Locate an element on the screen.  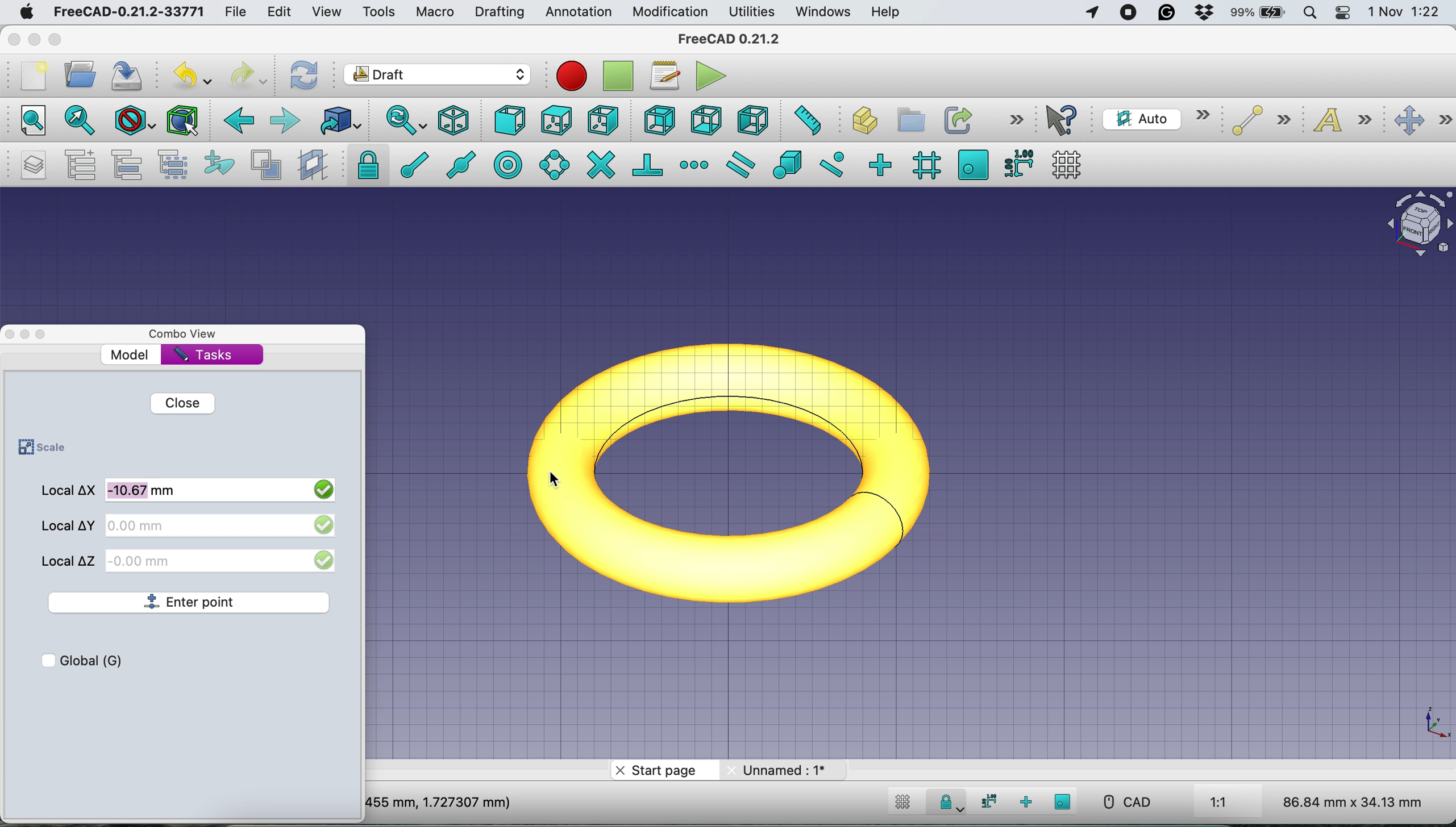
snap dimensions is located at coordinates (987, 801).